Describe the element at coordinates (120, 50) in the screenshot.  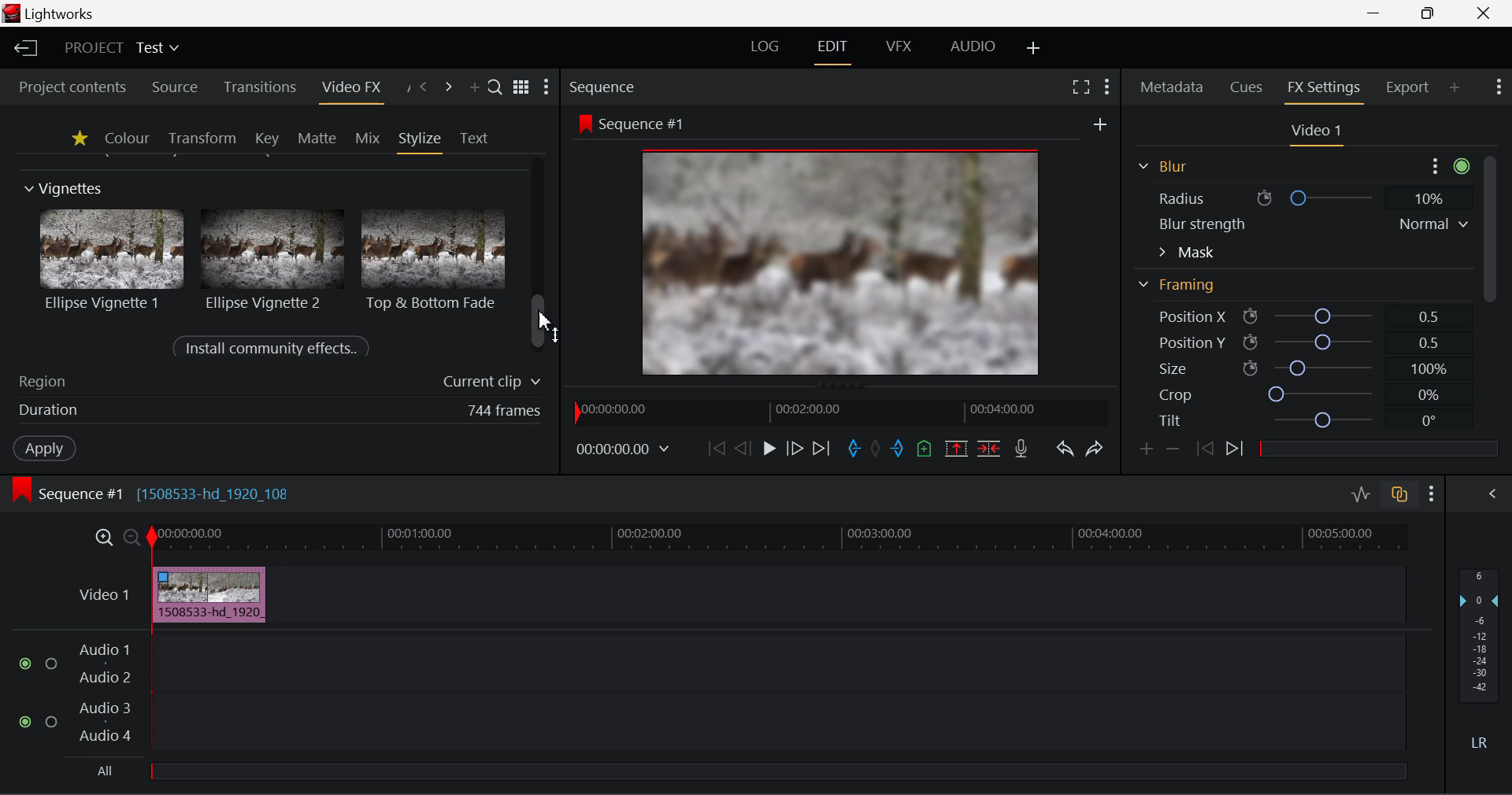
I see `Project Title` at that location.